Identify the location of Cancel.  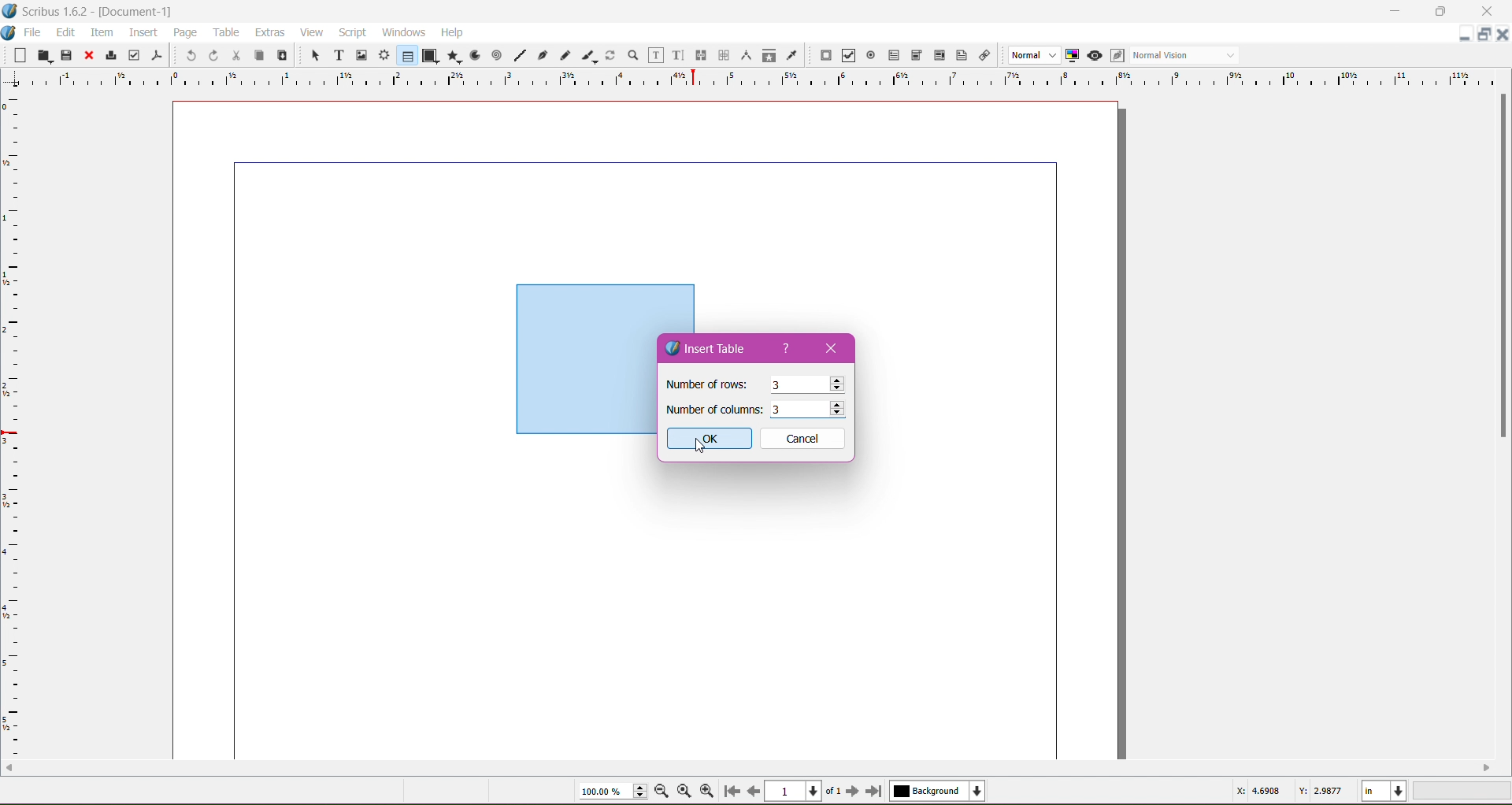
(803, 439).